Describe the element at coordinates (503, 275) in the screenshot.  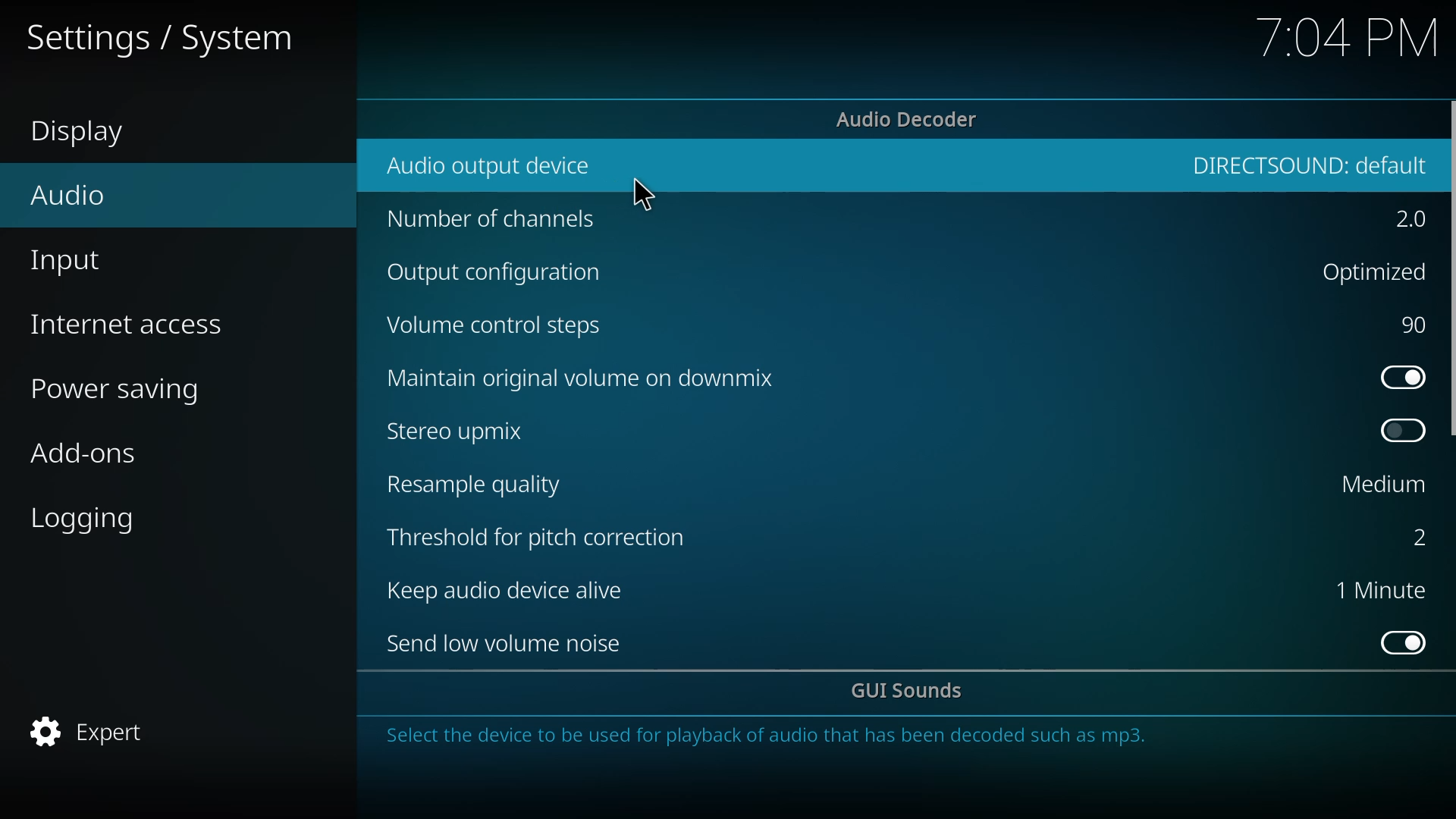
I see `output configuration` at that location.